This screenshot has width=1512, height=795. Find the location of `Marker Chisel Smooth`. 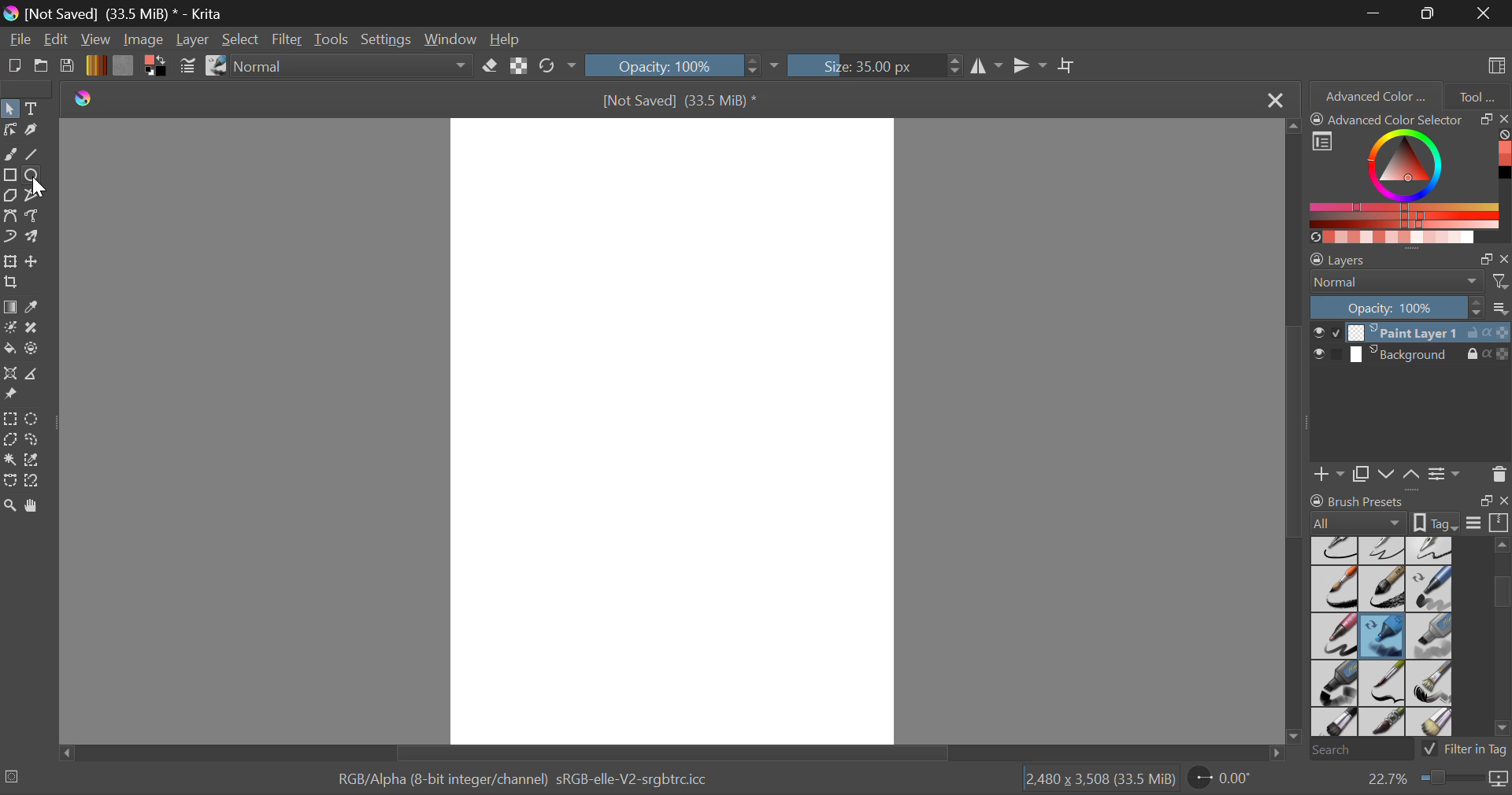

Marker Chisel Smooth is located at coordinates (1430, 588).